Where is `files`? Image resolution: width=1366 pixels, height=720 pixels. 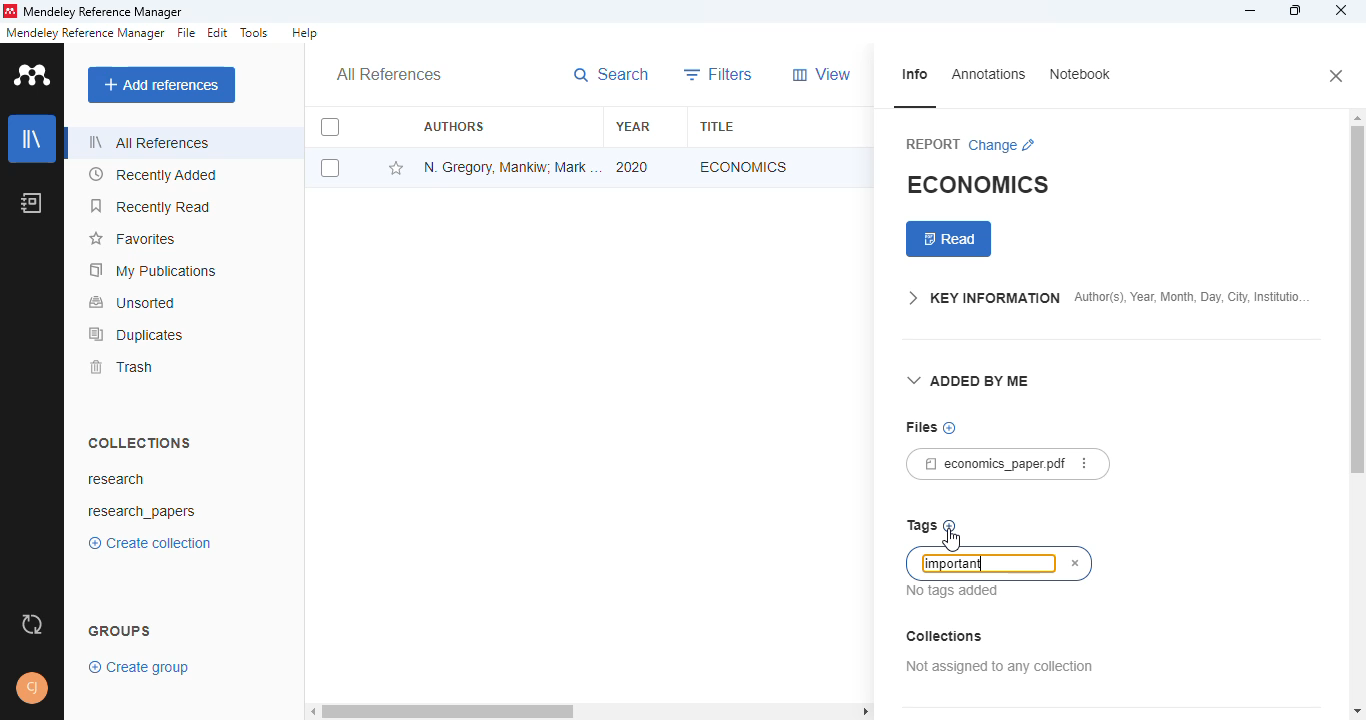
files is located at coordinates (920, 427).